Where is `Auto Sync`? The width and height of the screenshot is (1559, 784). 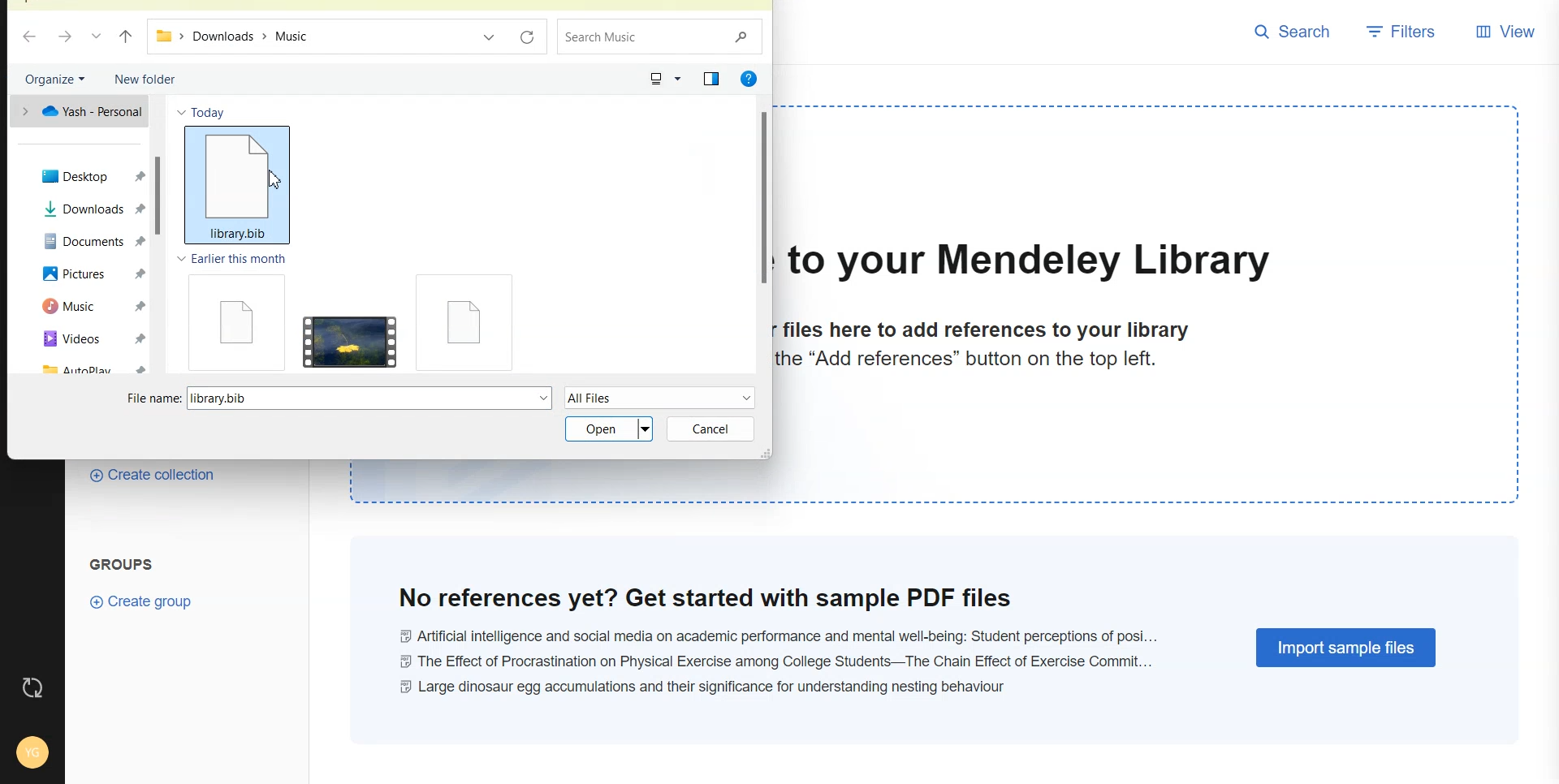
Auto Sync is located at coordinates (30, 687).